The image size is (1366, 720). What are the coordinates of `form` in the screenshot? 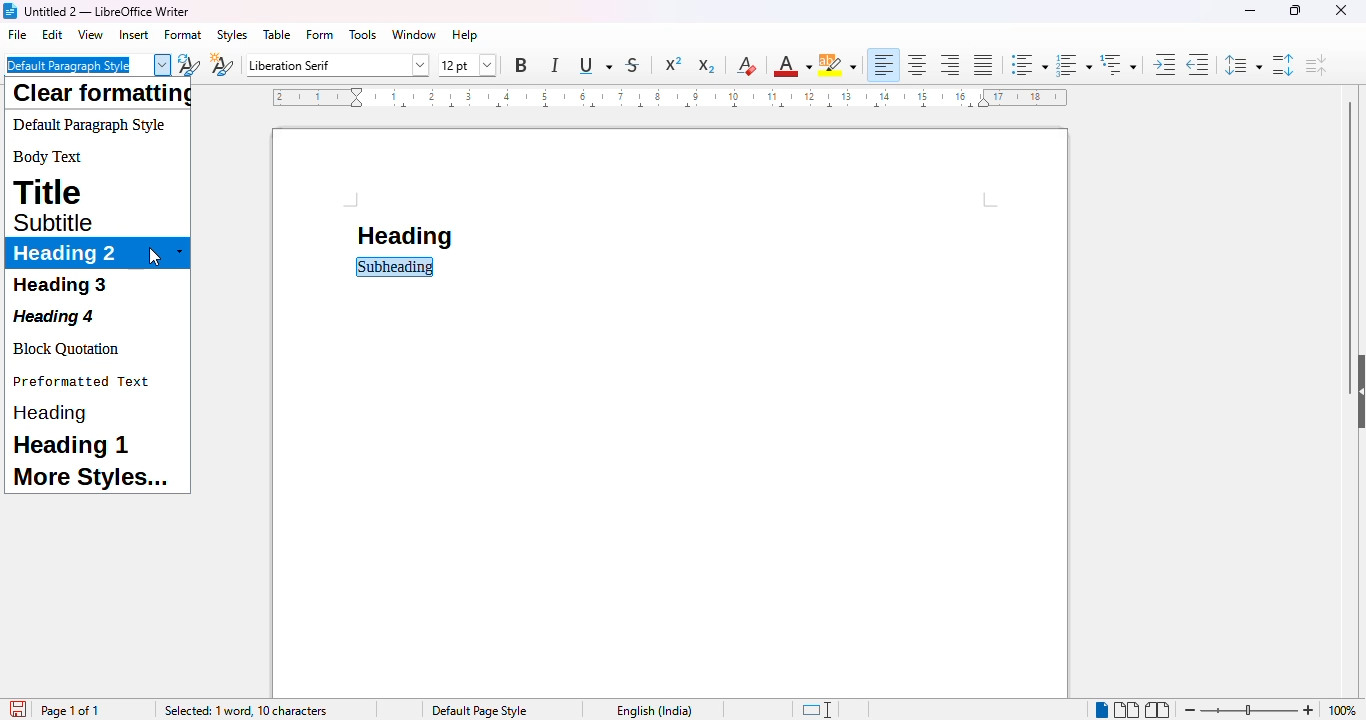 It's located at (320, 35).